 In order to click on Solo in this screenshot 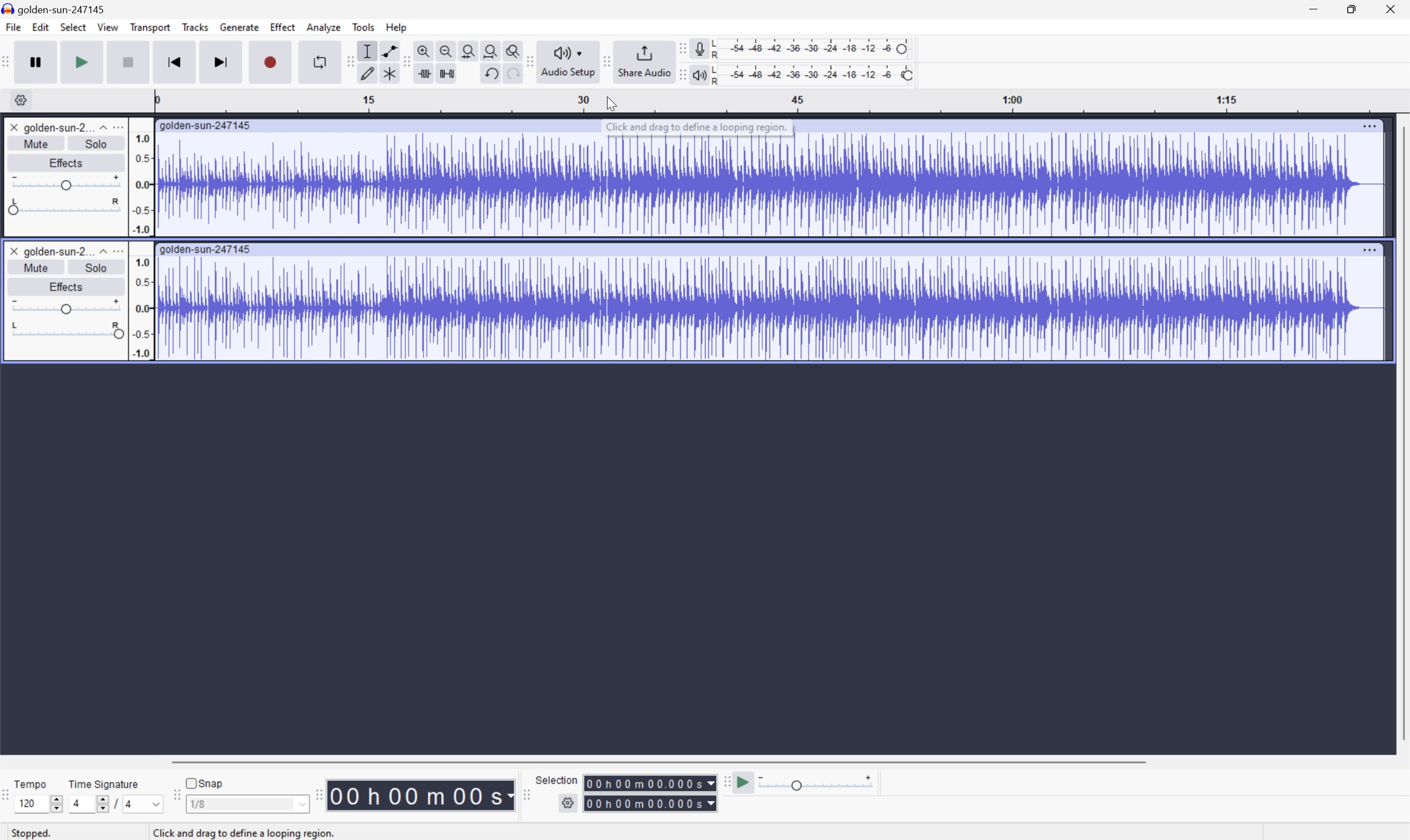, I will do `click(100, 267)`.